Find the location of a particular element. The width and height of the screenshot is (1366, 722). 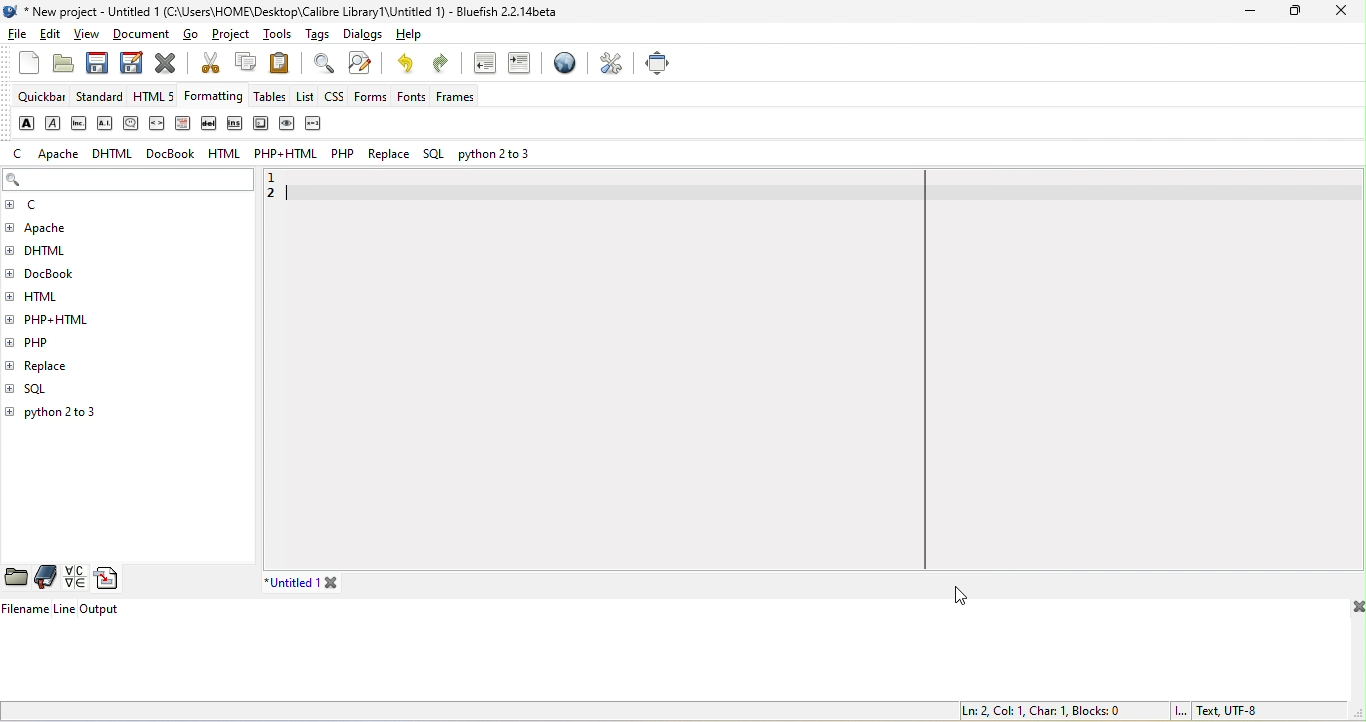

python 2 to 3 is located at coordinates (500, 155).